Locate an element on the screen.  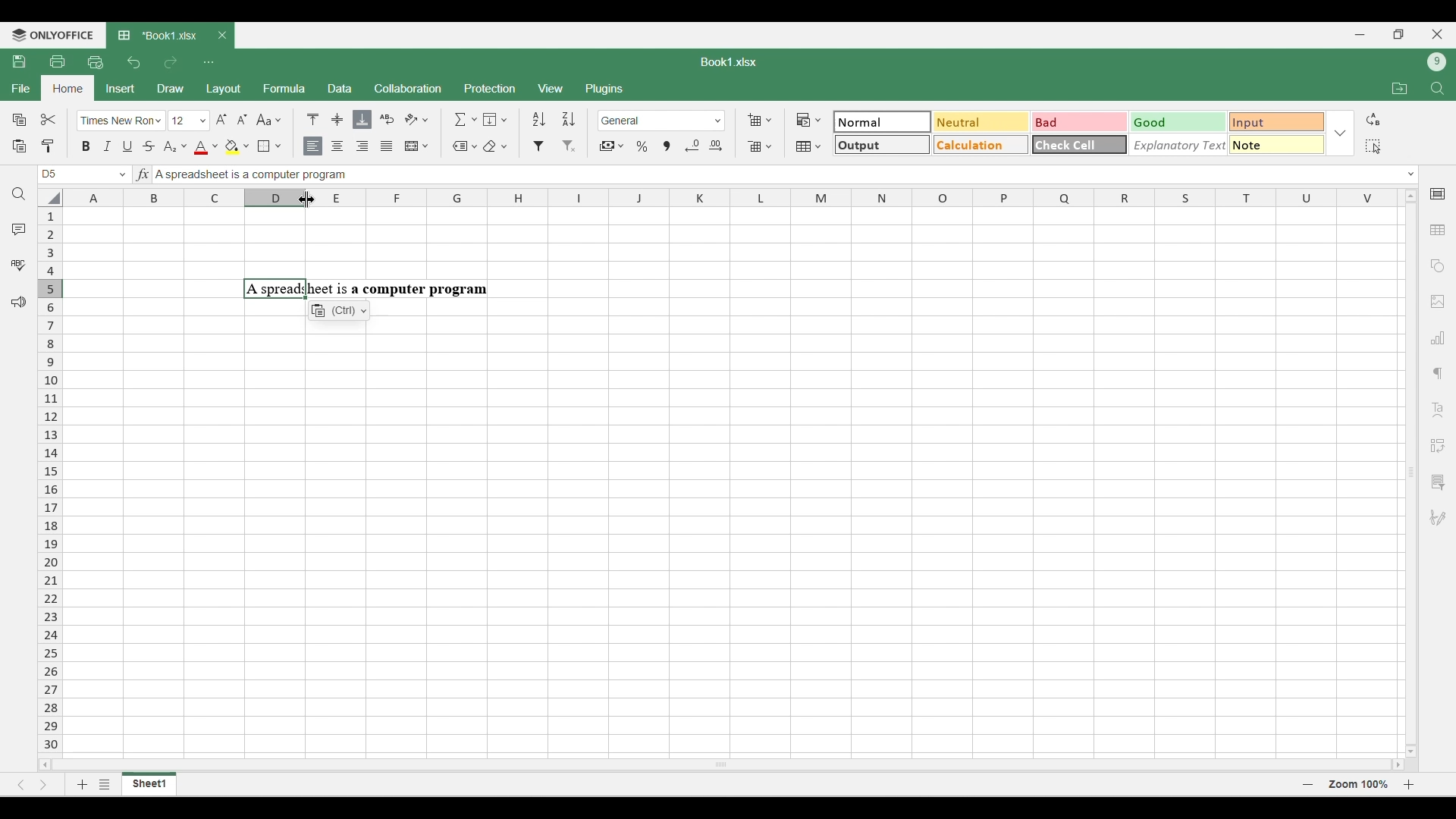
Text setting options is located at coordinates (339, 310).